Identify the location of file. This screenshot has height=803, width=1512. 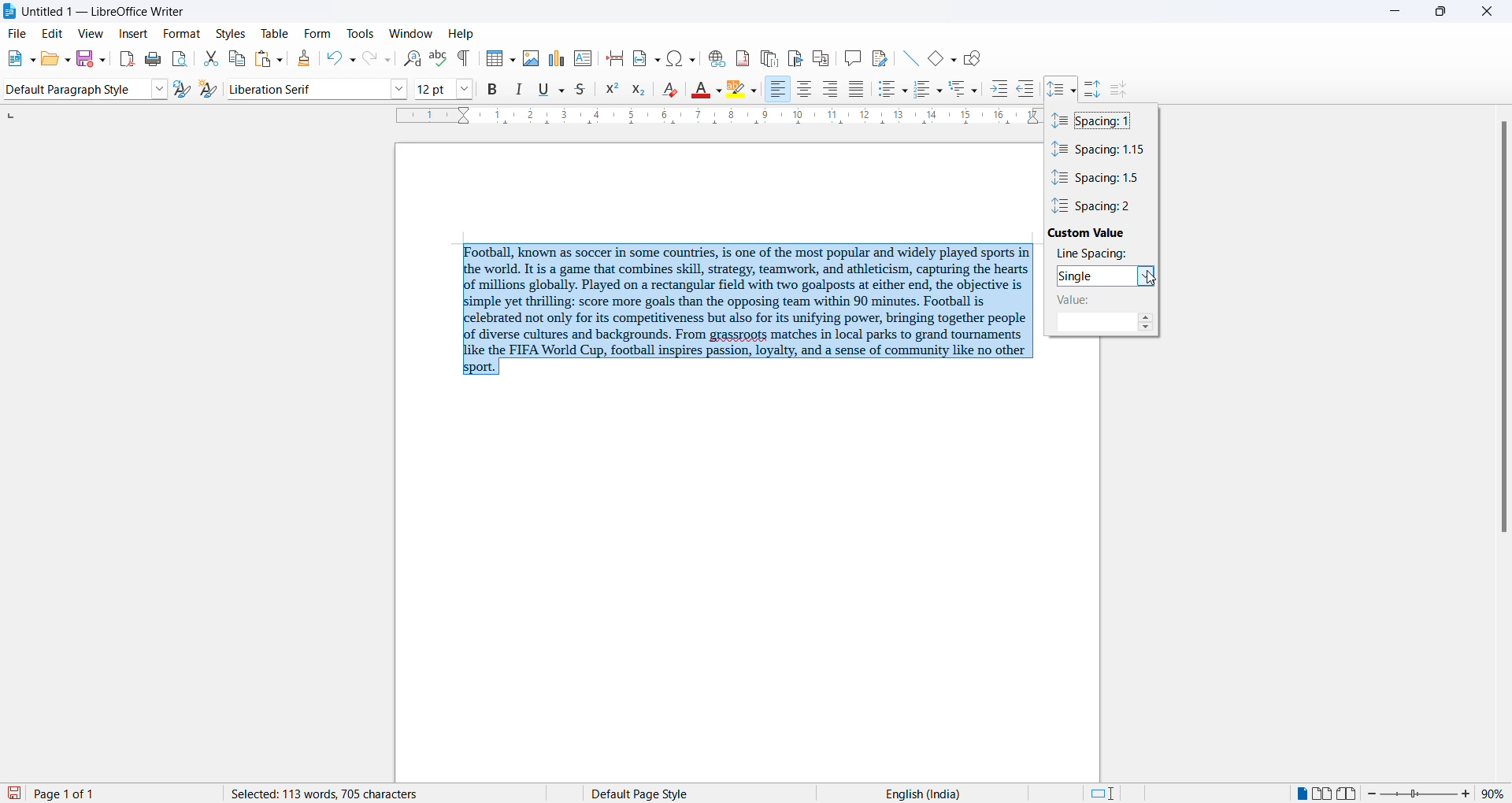
(20, 33).